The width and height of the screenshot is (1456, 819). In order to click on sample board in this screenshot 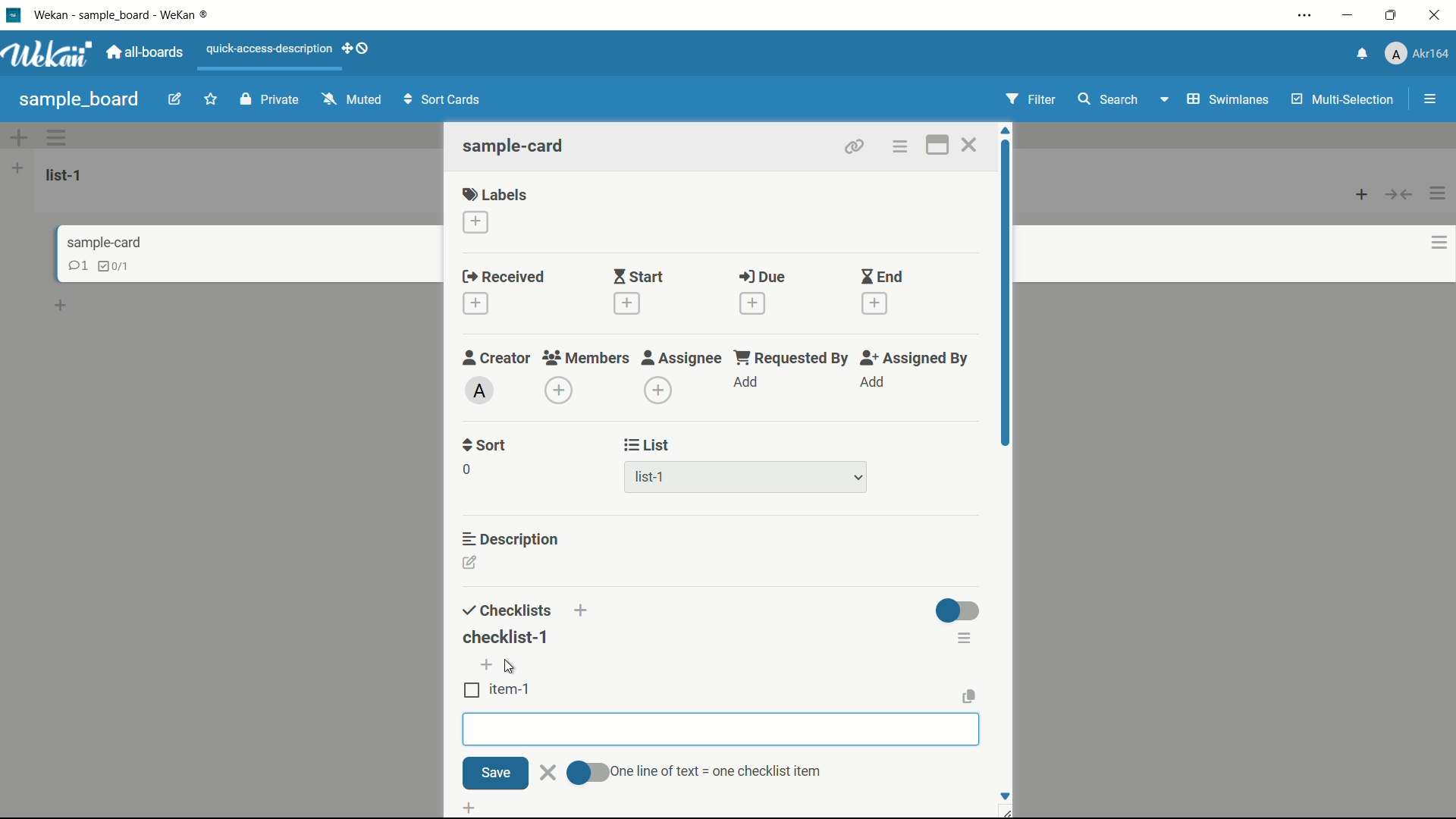, I will do `click(78, 99)`.